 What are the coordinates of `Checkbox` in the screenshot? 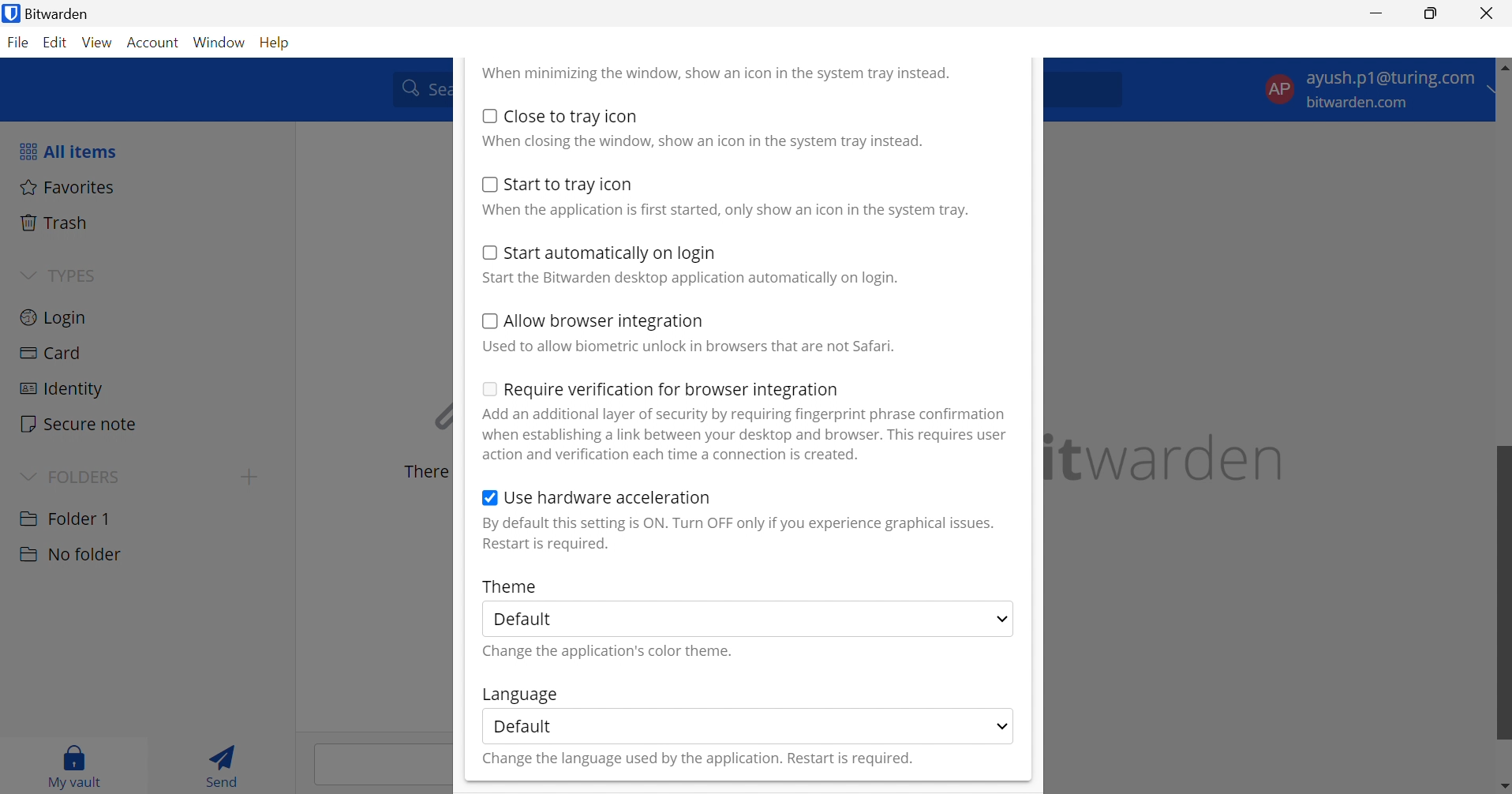 It's located at (487, 388).